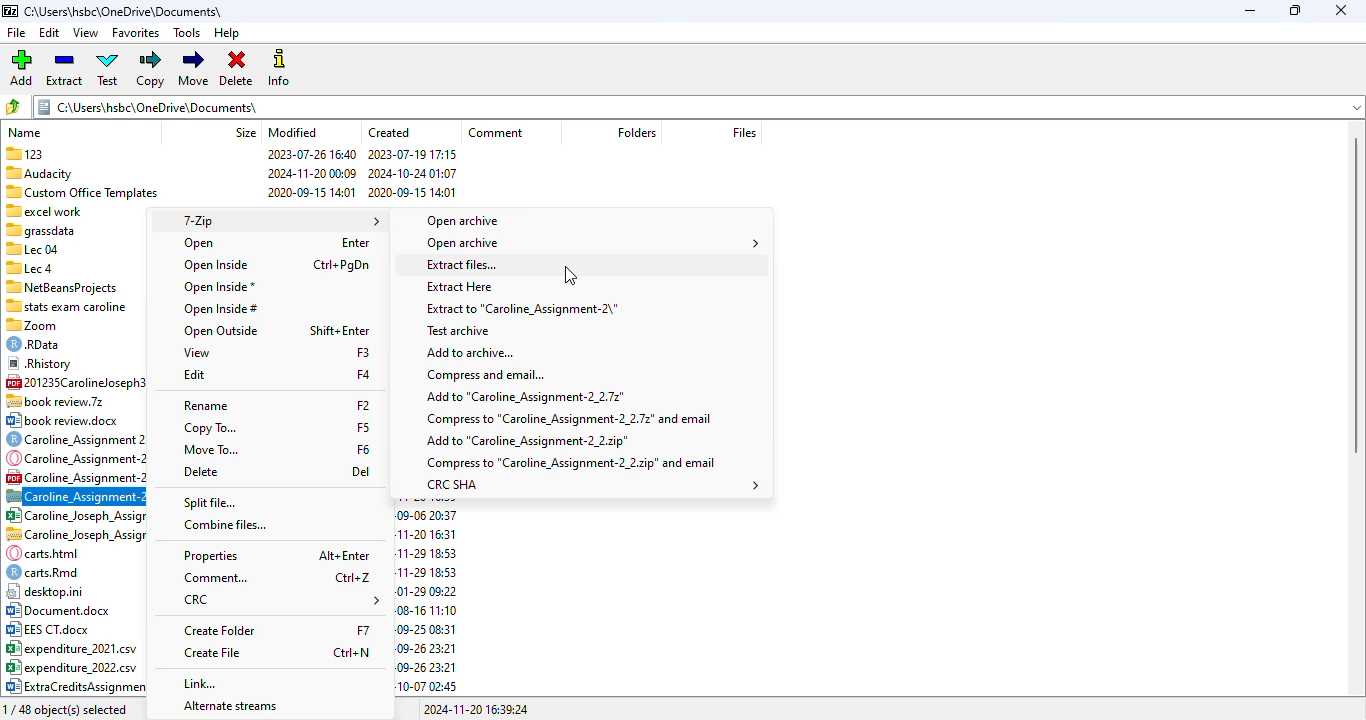 The width and height of the screenshot is (1366, 720). I want to click on shortcut for comment, so click(354, 577).